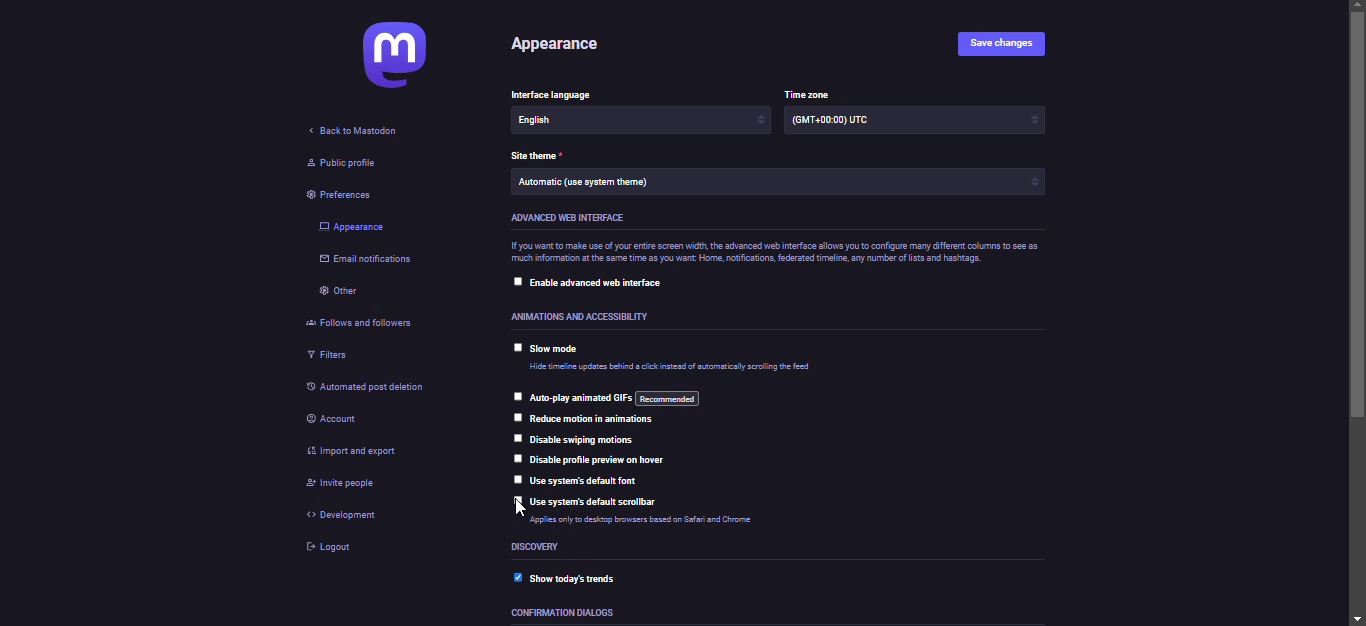 The height and width of the screenshot is (626, 1366). What do you see at coordinates (337, 422) in the screenshot?
I see `account` at bounding box center [337, 422].